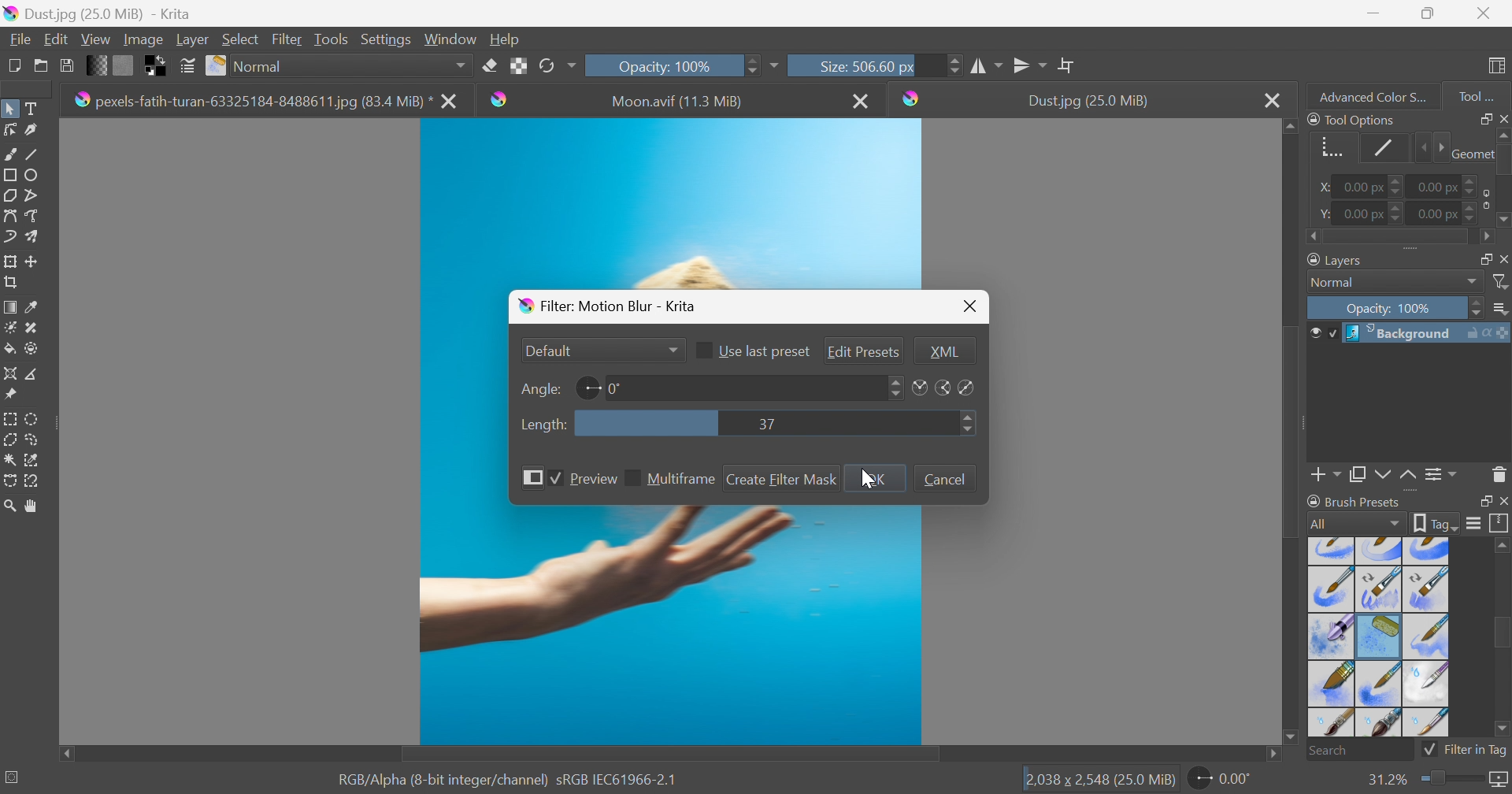  Describe the element at coordinates (1328, 145) in the screenshot. I see `Geometry` at that location.